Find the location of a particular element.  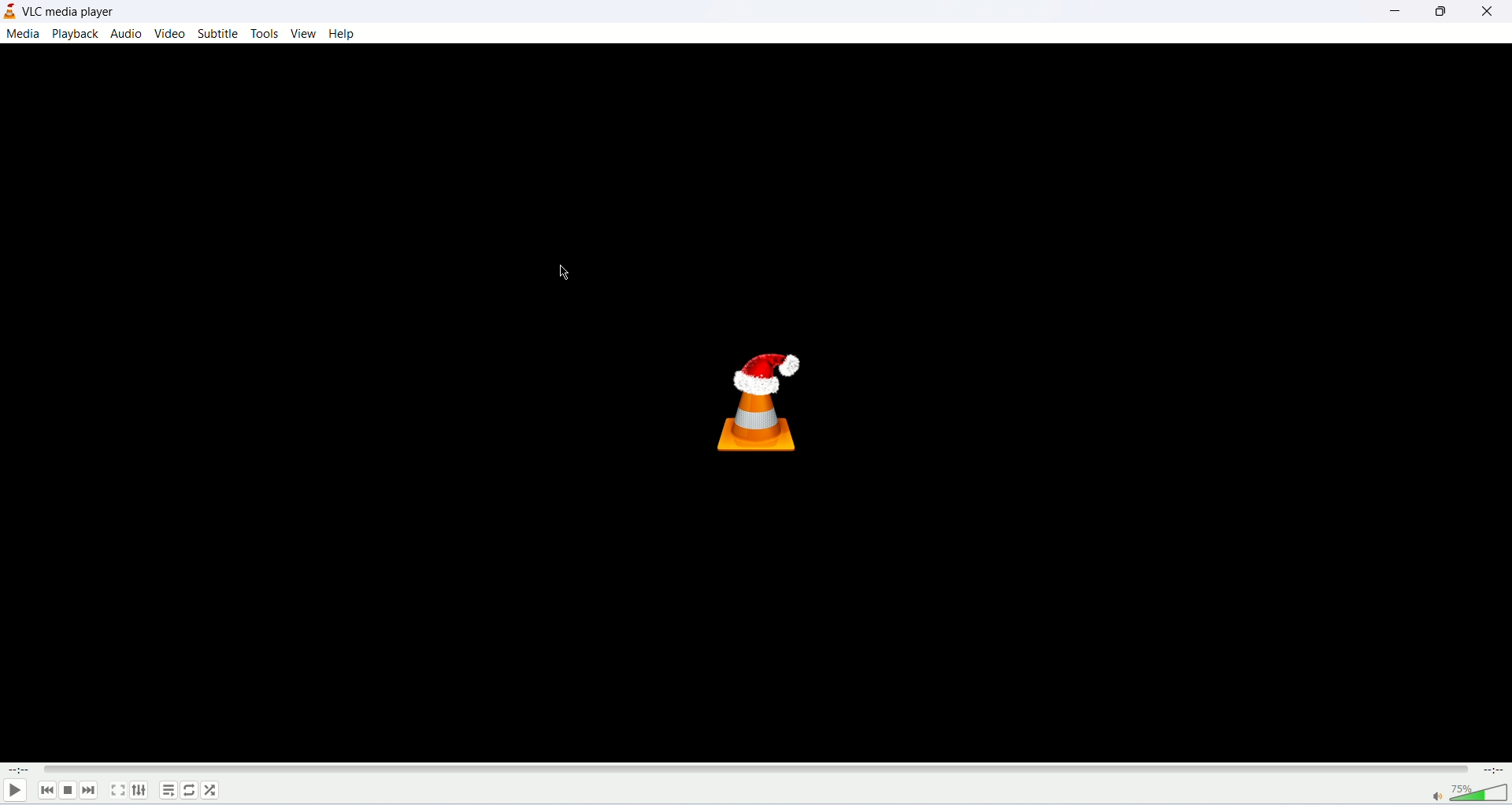

logo is located at coordinates (9, 12).